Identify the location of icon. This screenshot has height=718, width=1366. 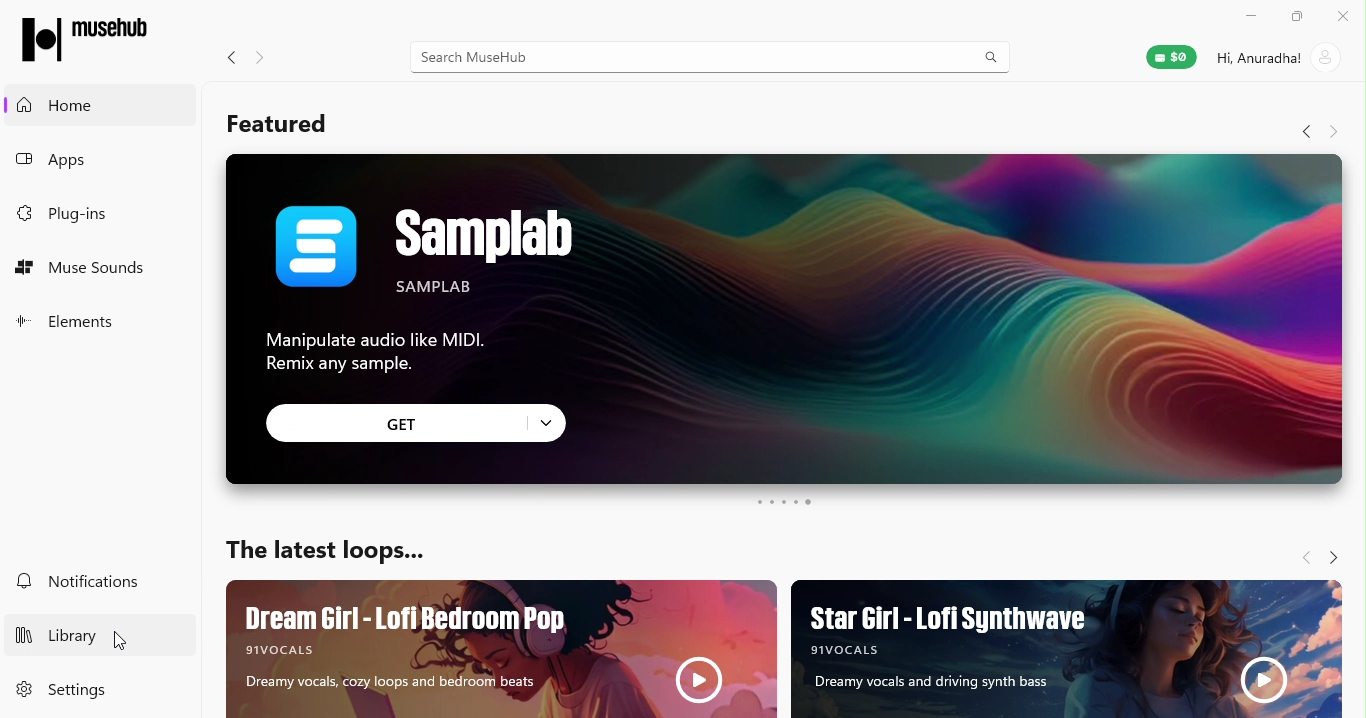
(87, 35).